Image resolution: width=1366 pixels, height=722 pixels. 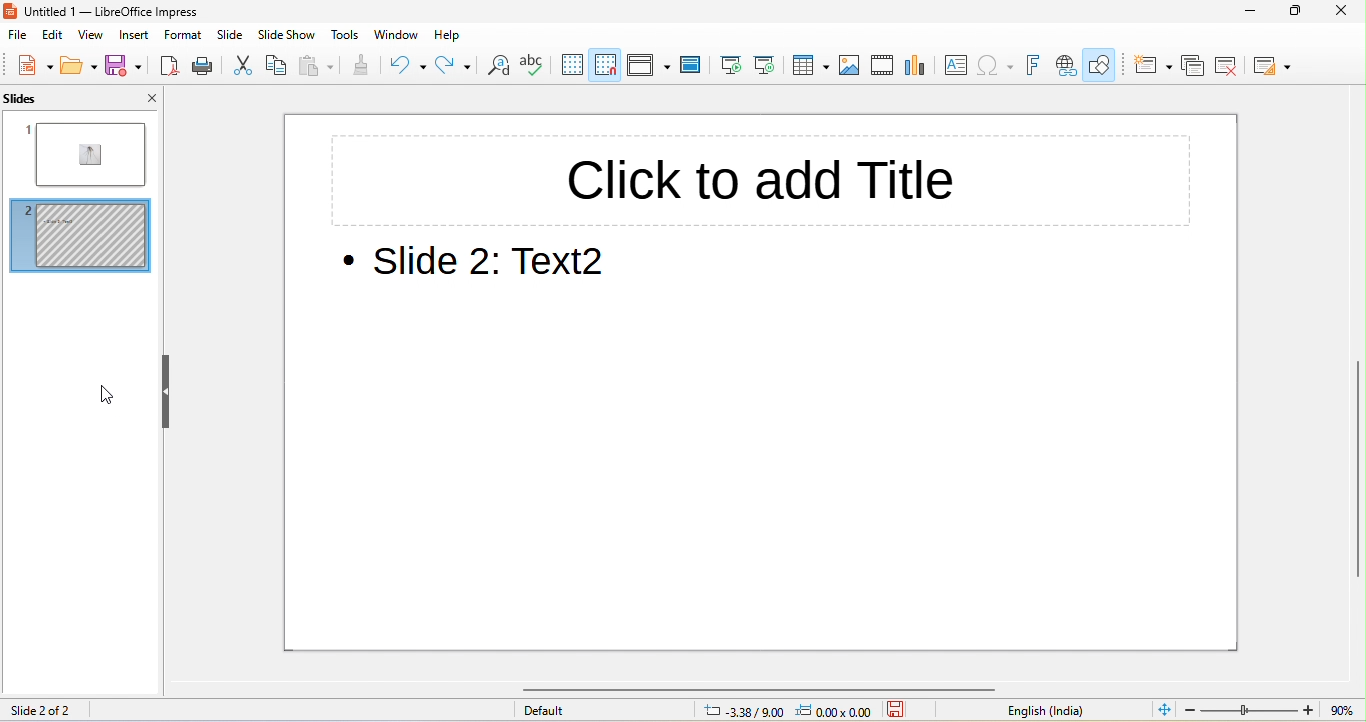 I want to click on save, so click(x=123, y=68).